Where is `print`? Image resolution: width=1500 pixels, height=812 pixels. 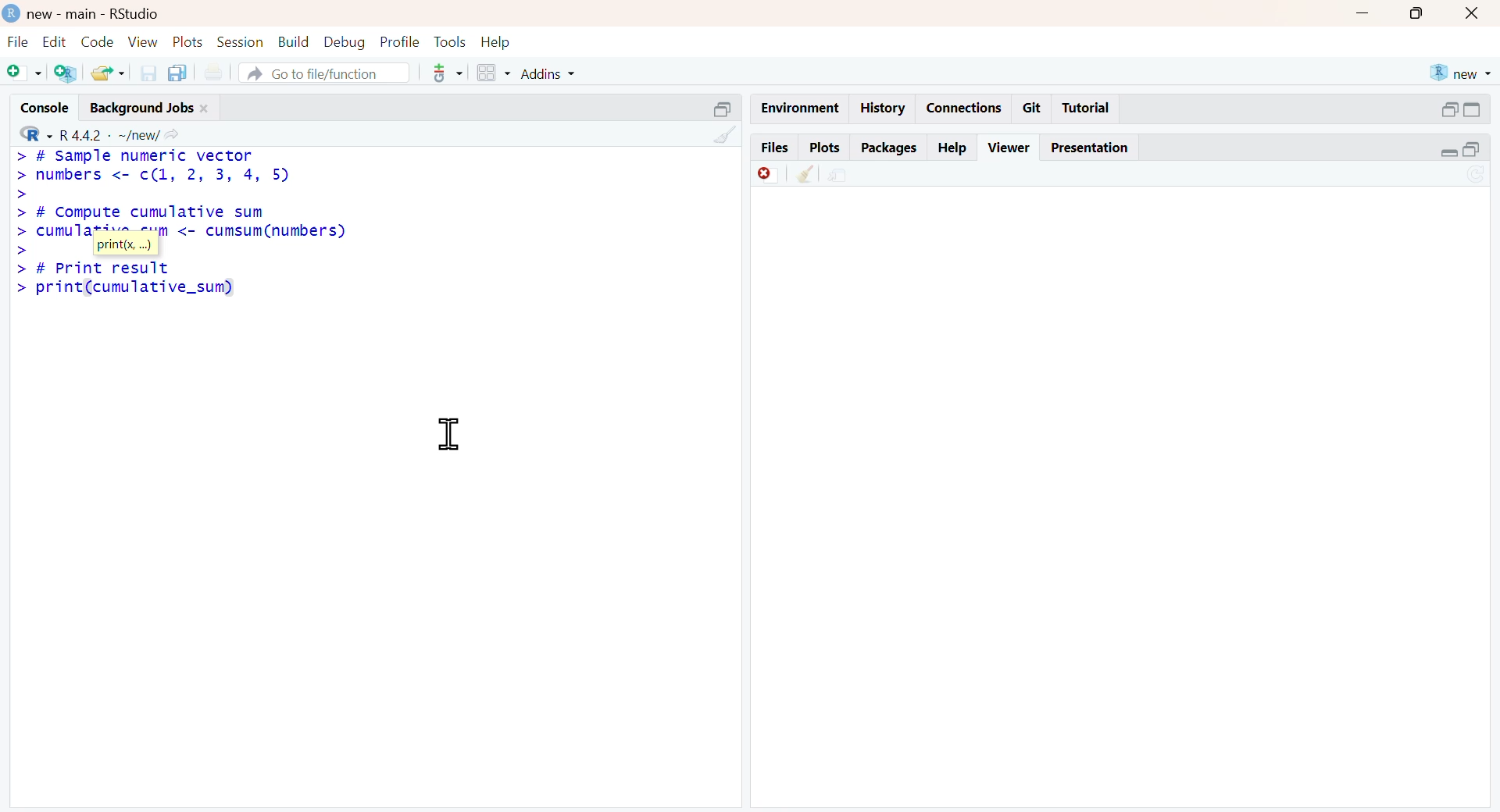
print is located at coordinates (214, 72).